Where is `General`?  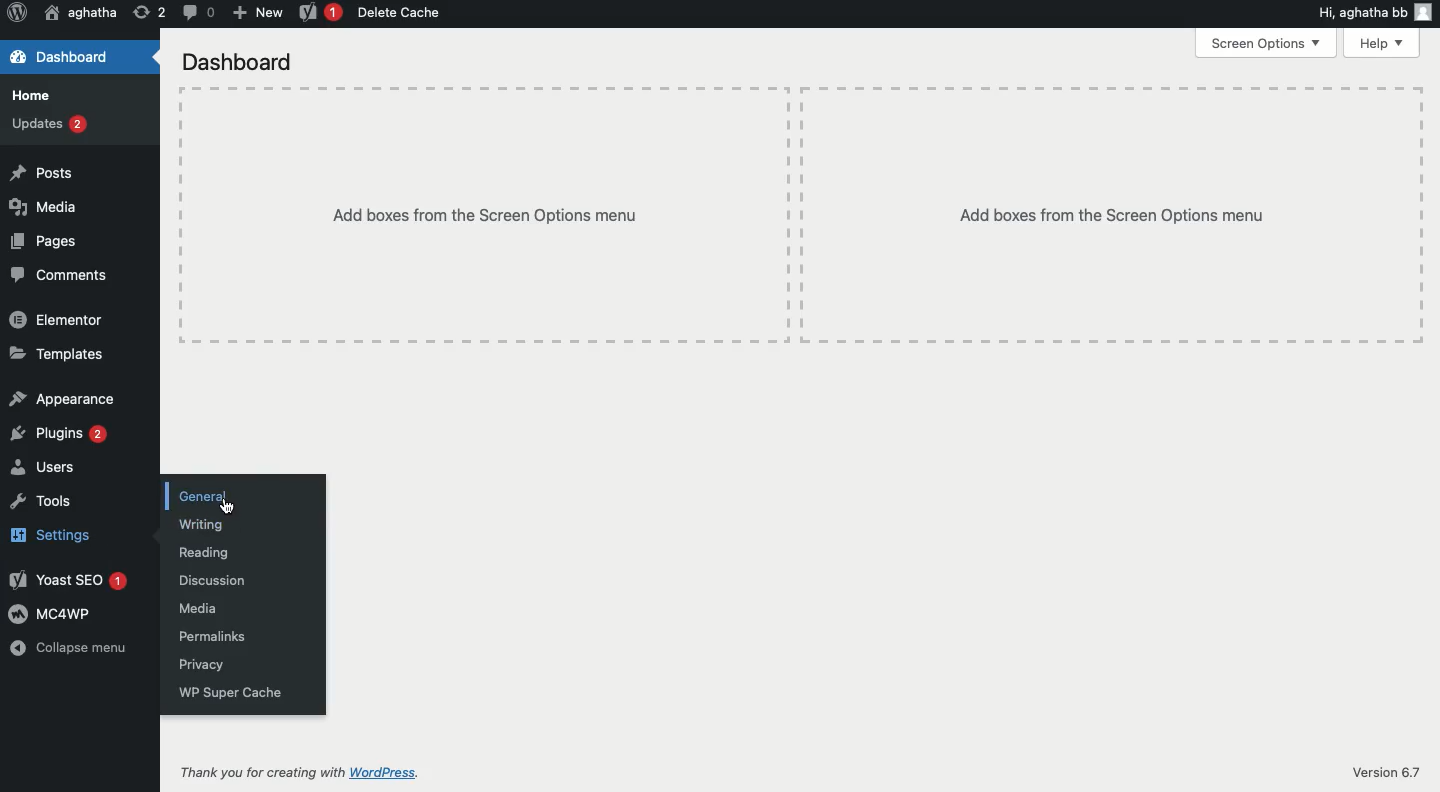 General is located at coordinates (203, 496).